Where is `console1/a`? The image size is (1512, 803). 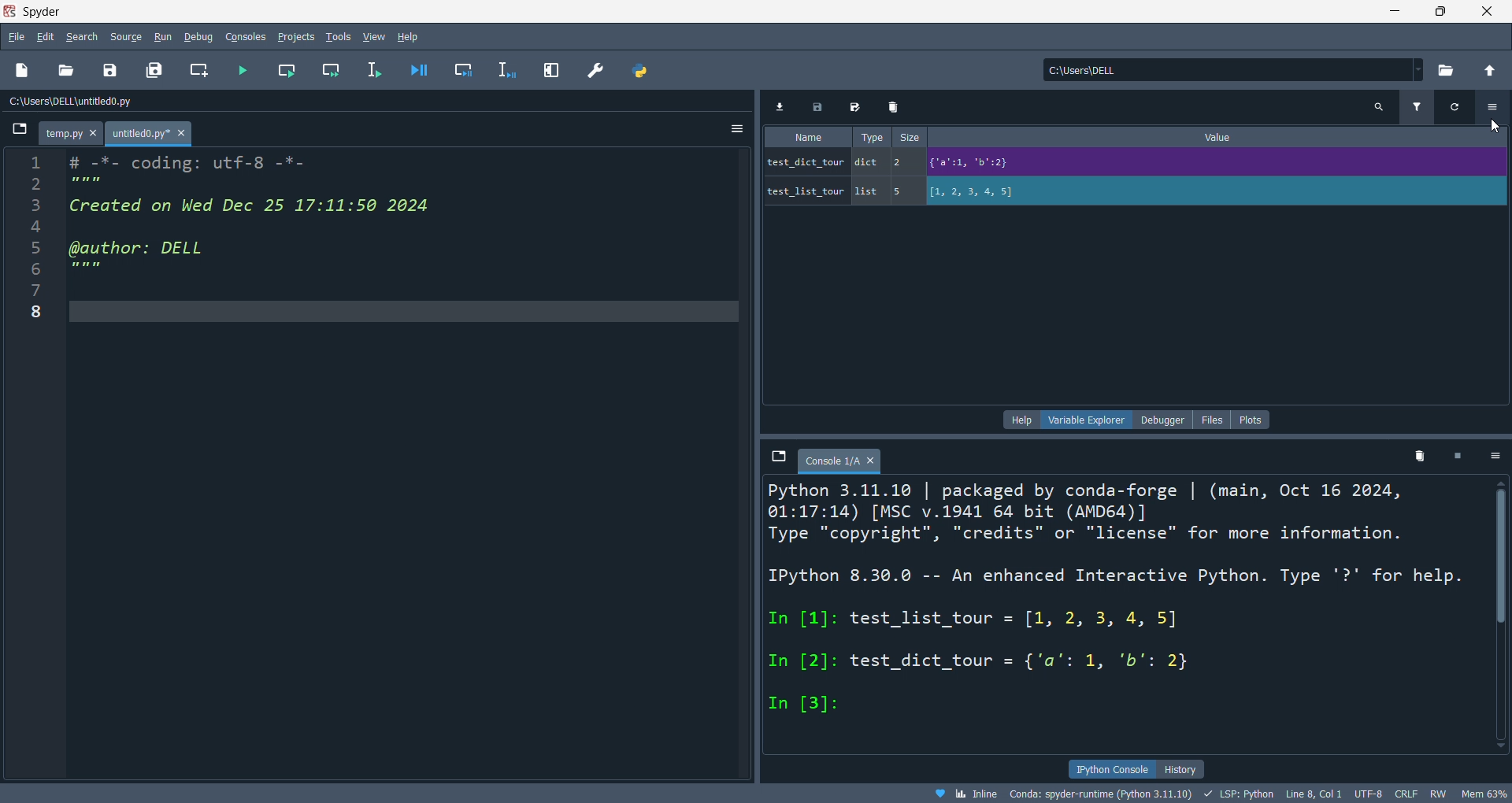 console1/a is located at coordinates (845, 458).